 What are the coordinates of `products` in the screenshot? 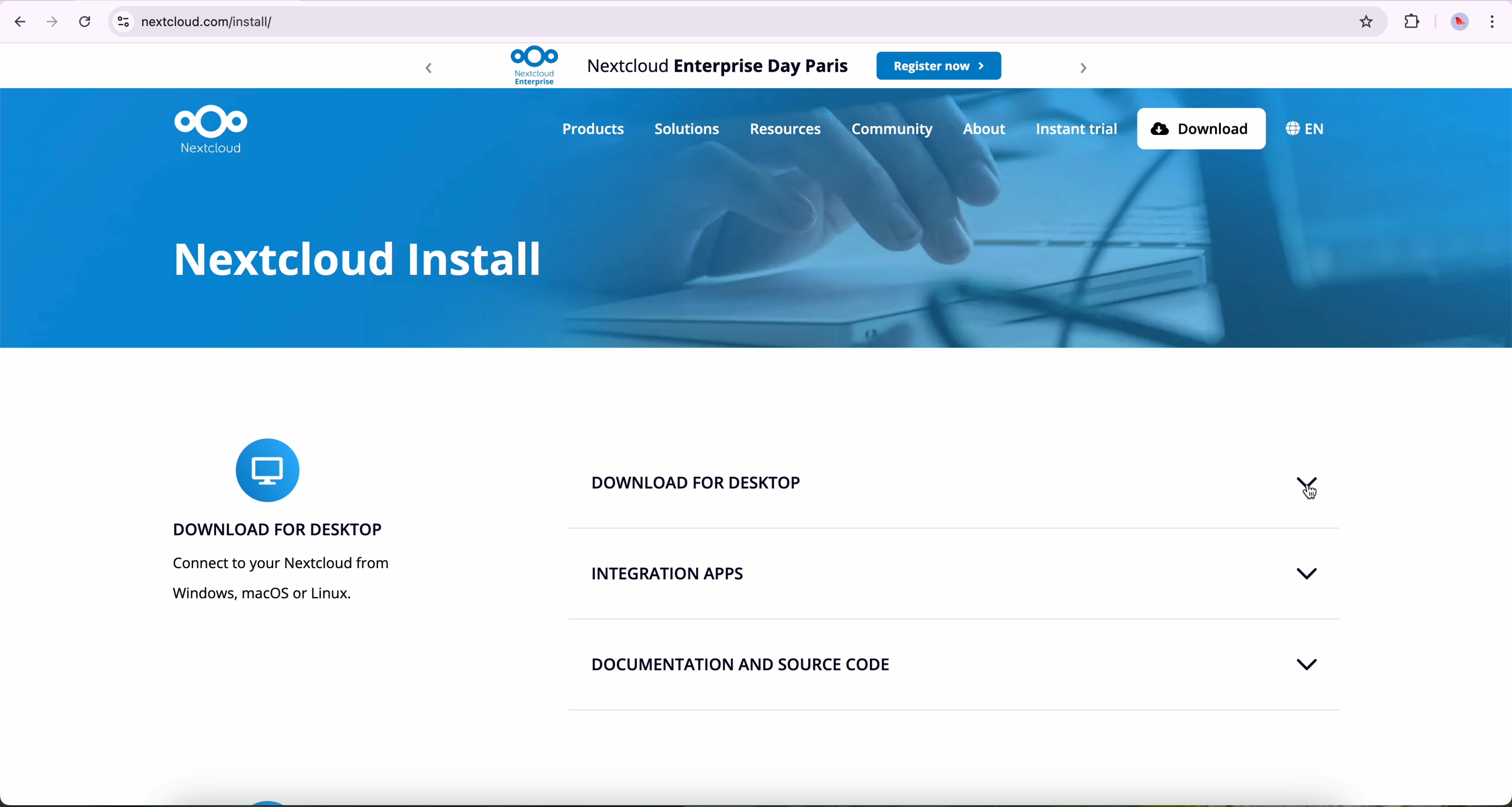 It's located at (592, 130).